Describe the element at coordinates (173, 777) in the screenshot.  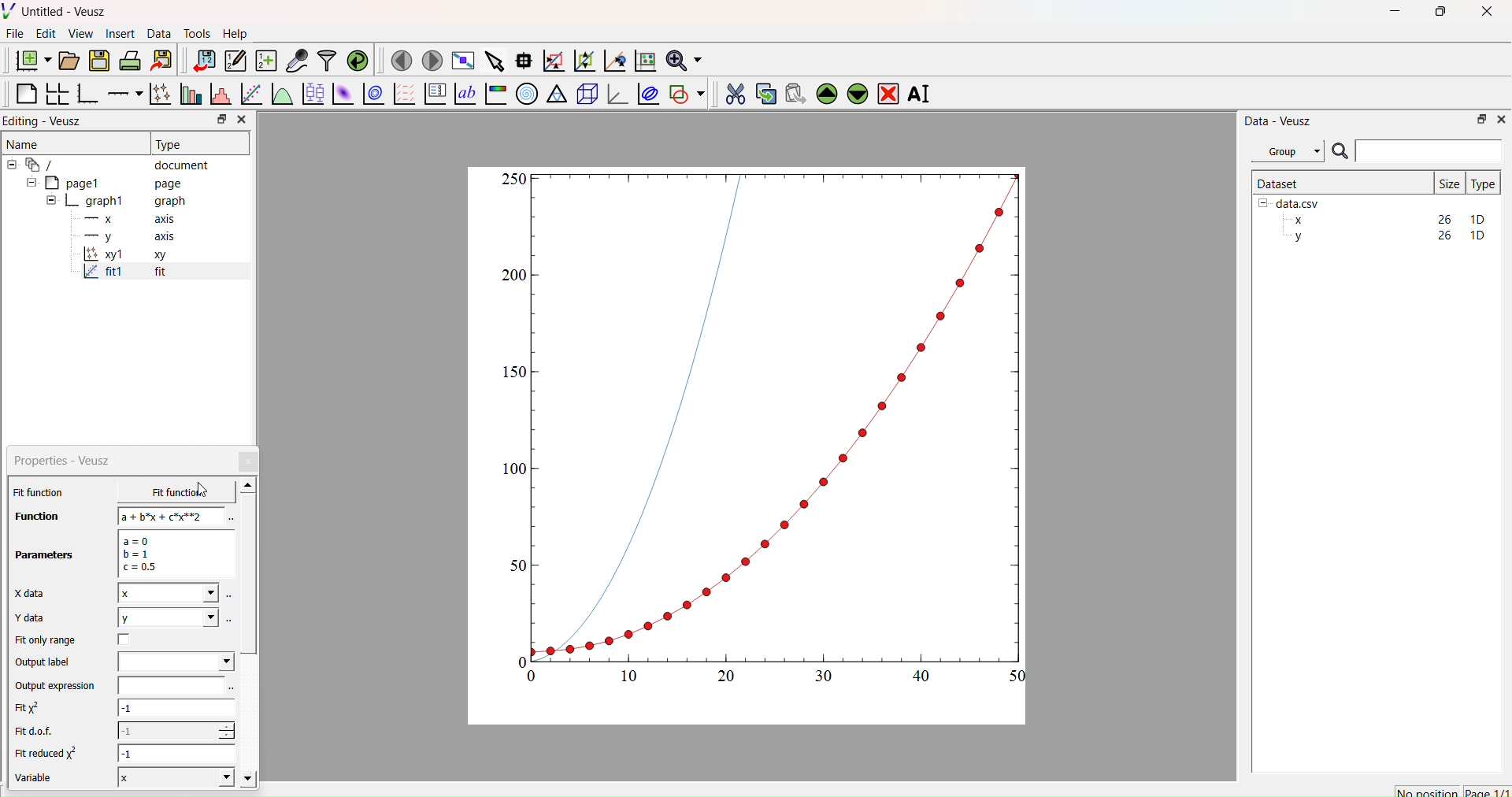
I see `X ` at that location.